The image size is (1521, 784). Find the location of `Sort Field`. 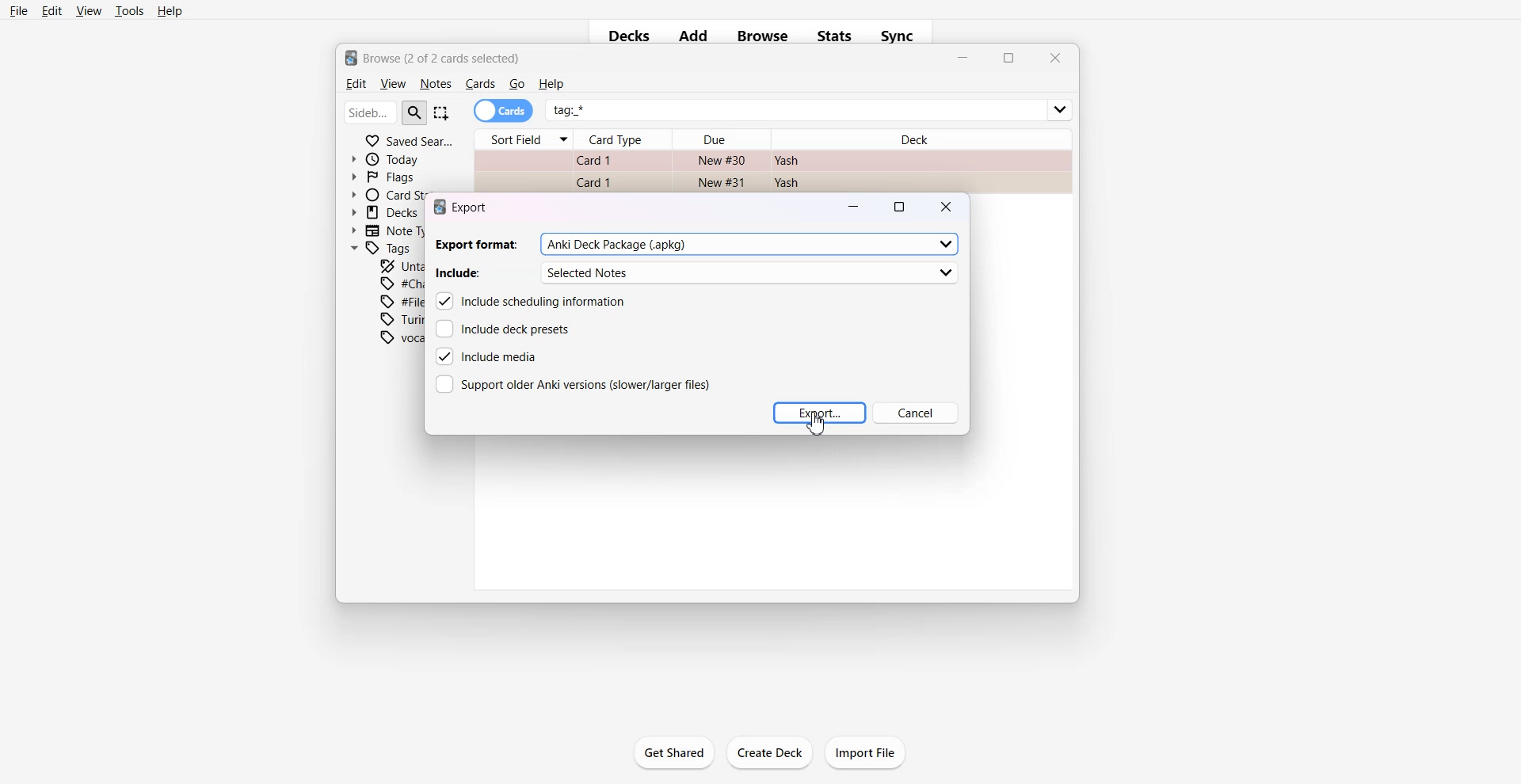

Sort Field is located at coordinates (523, 139).